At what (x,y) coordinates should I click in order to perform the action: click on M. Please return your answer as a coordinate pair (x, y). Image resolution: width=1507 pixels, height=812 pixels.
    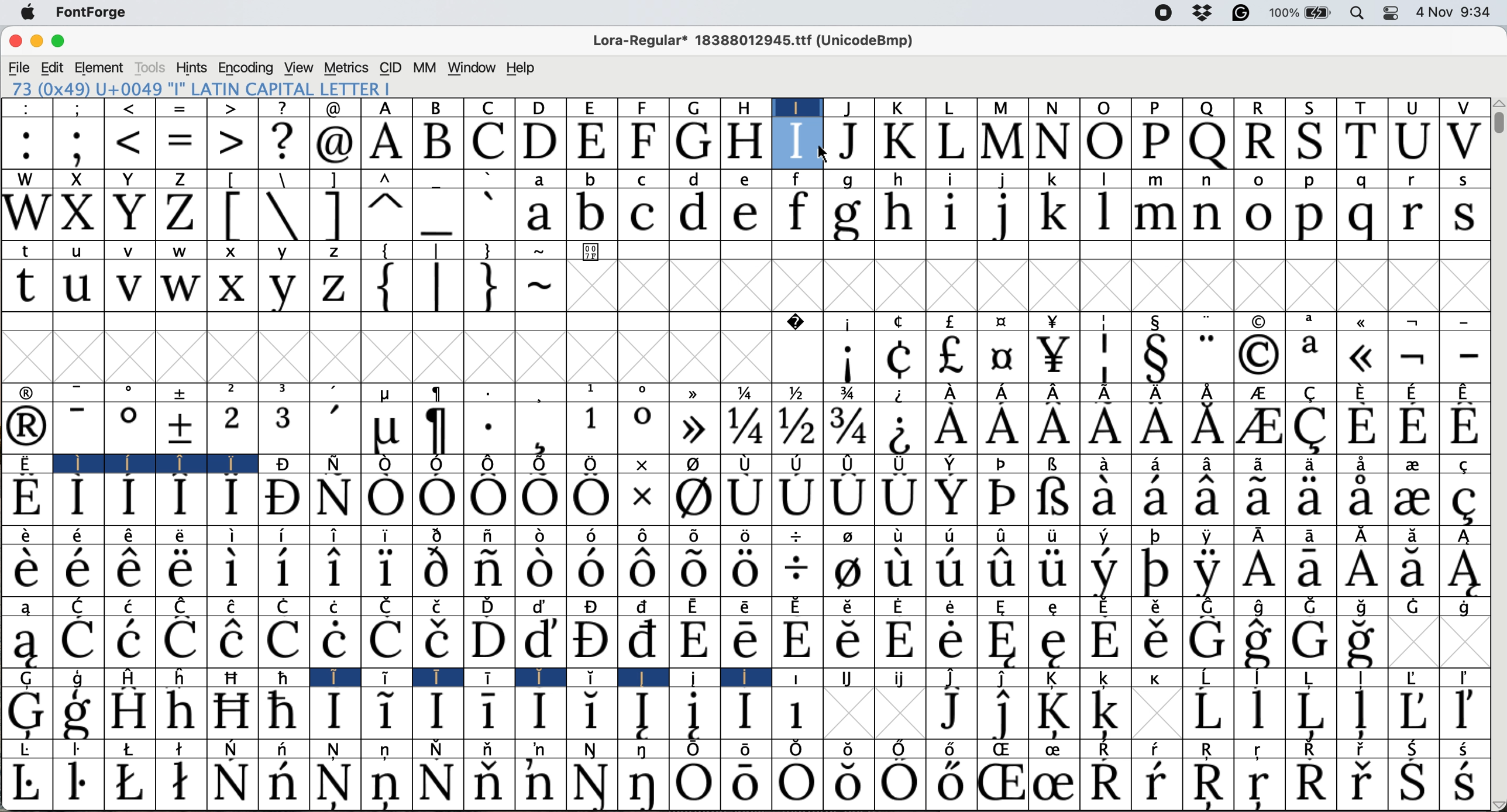
    Looking at the image, I should click on (1003, 142).